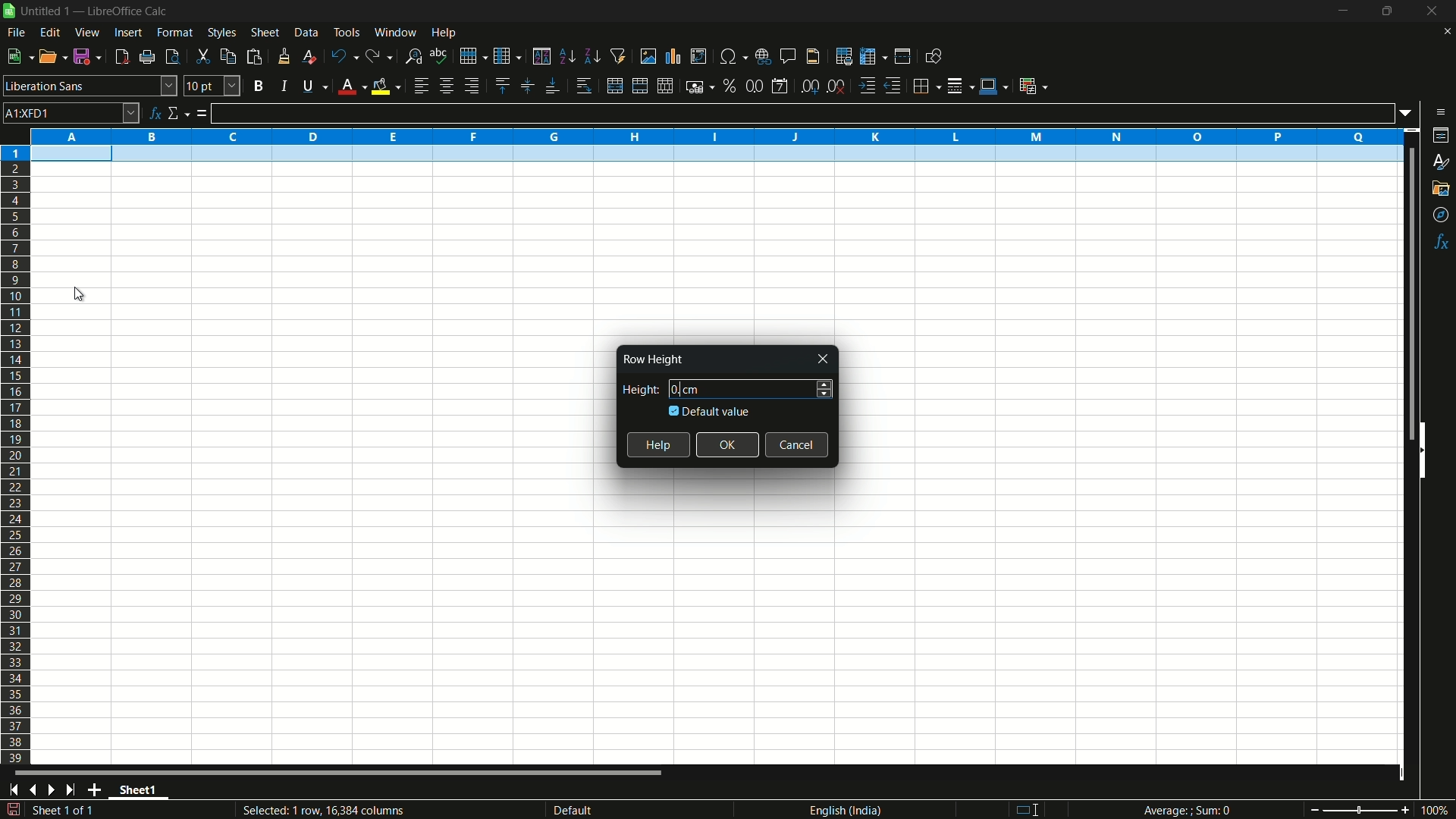 The image size is (1456, 819). I want to click on toggle print review, so click(171, 57).